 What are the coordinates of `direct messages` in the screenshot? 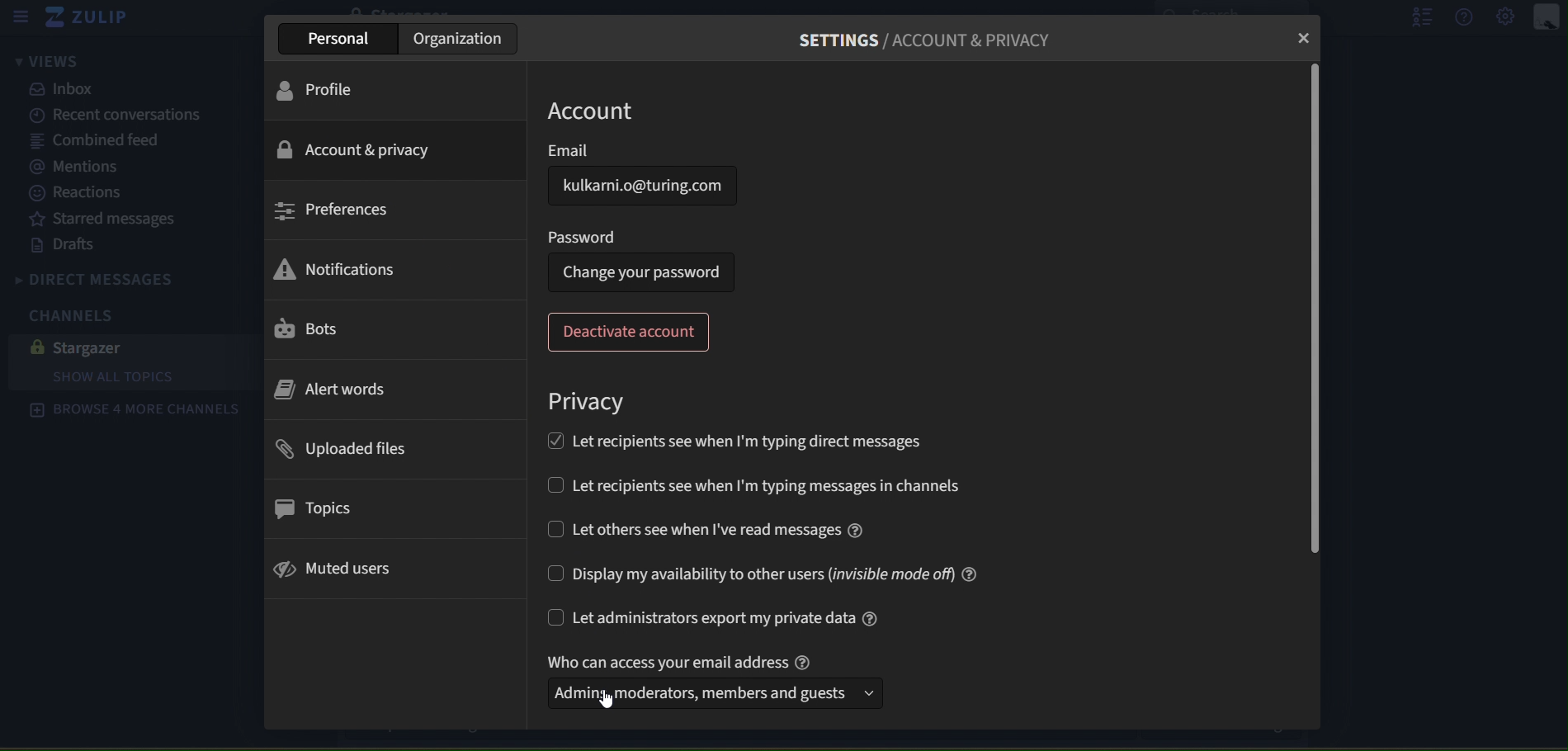 It's located at (129, 276).